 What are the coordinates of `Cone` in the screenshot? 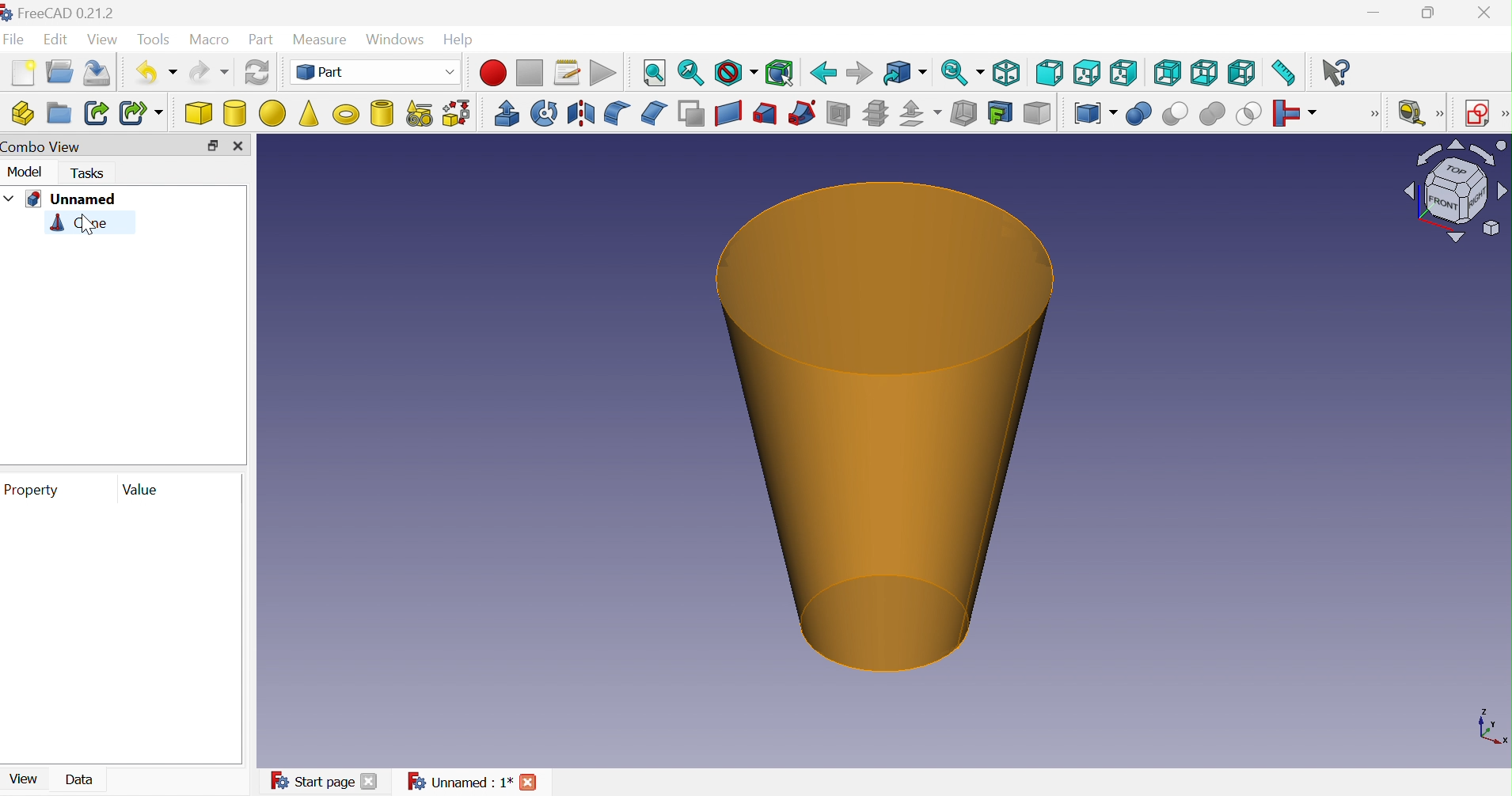 It's located at (309, 112).